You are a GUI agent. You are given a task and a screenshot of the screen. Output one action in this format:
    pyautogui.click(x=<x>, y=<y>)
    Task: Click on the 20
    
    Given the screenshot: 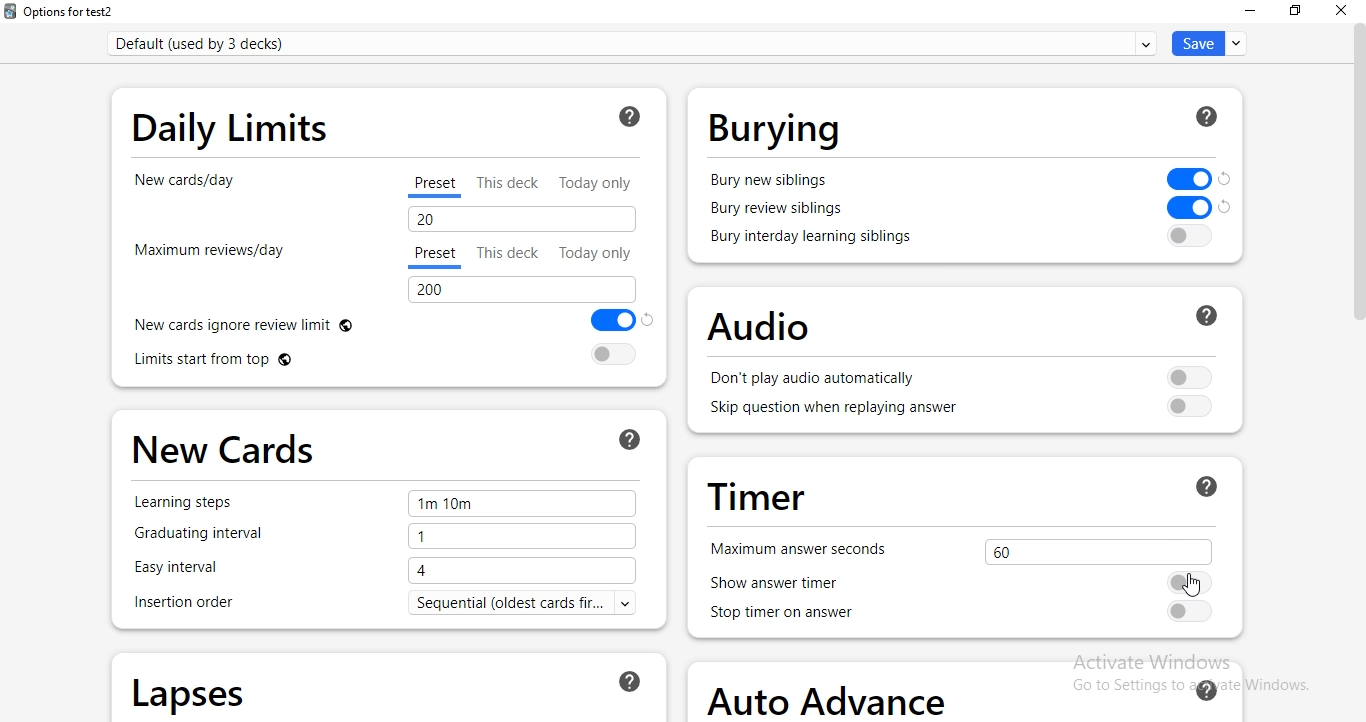 What is the action you would take?
    pyautogui.click(x=519, y=218)
    